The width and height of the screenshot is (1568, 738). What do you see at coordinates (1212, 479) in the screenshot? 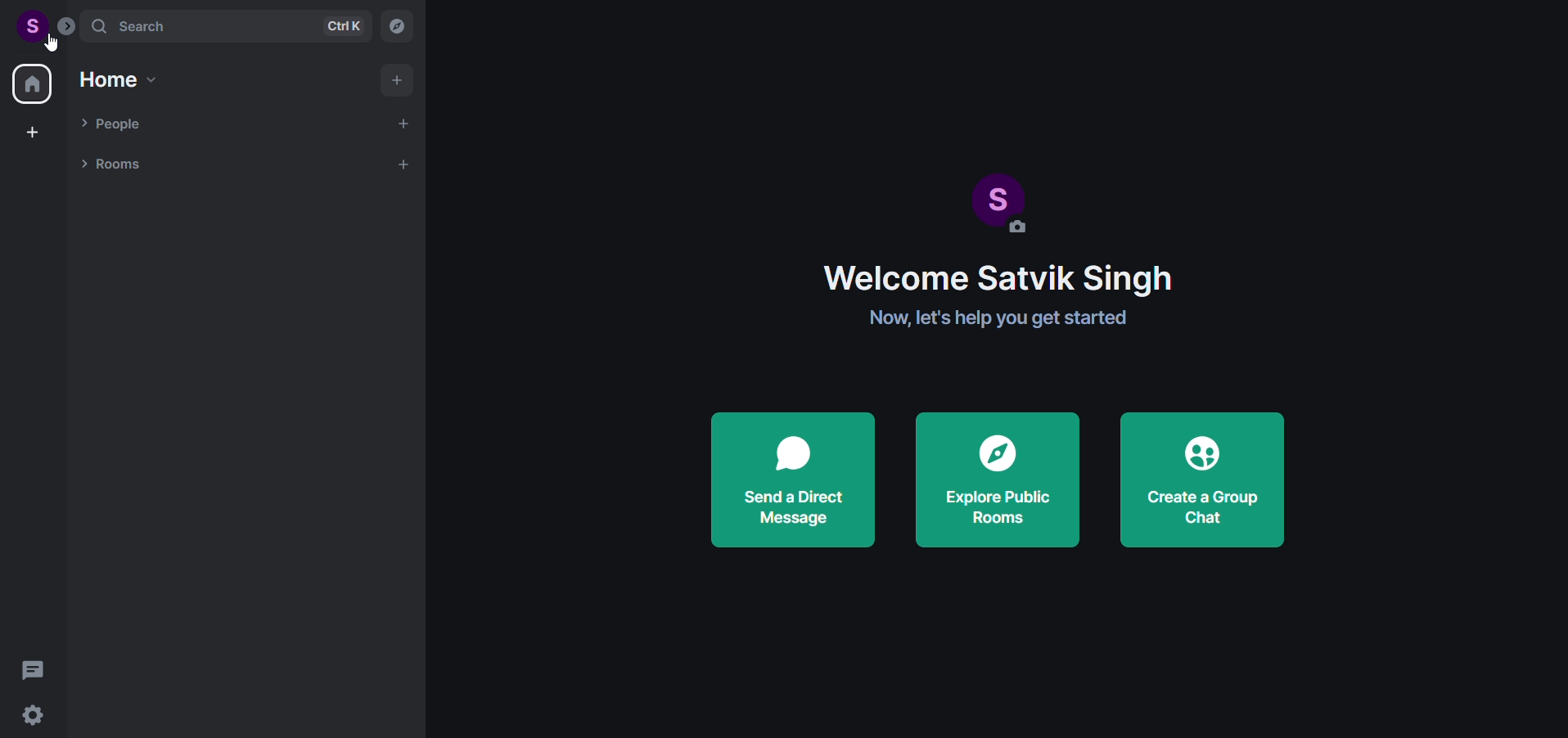
I see `create a group chat` at bounding box center [1212, 479].